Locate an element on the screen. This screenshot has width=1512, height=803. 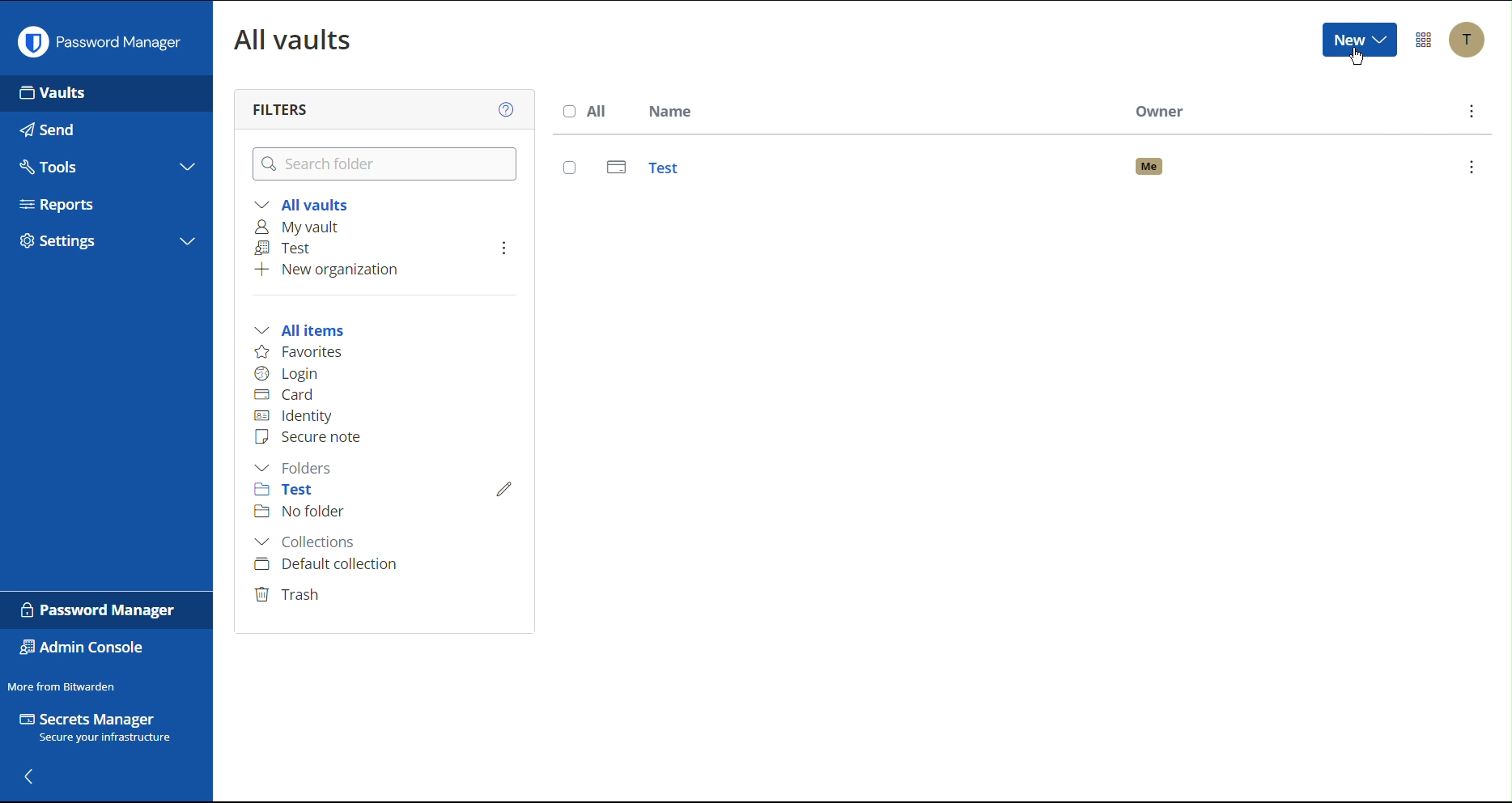
Test is located at coordinates (287, 249).